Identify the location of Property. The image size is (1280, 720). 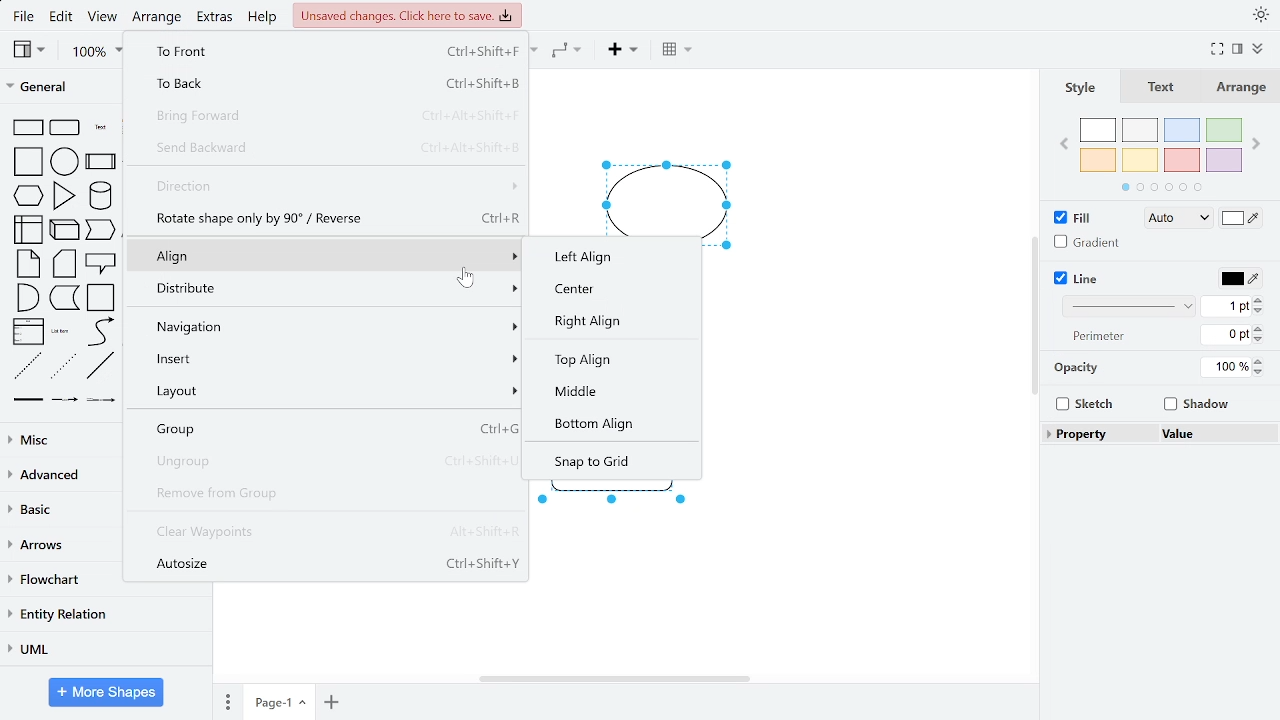
(1101, 434).